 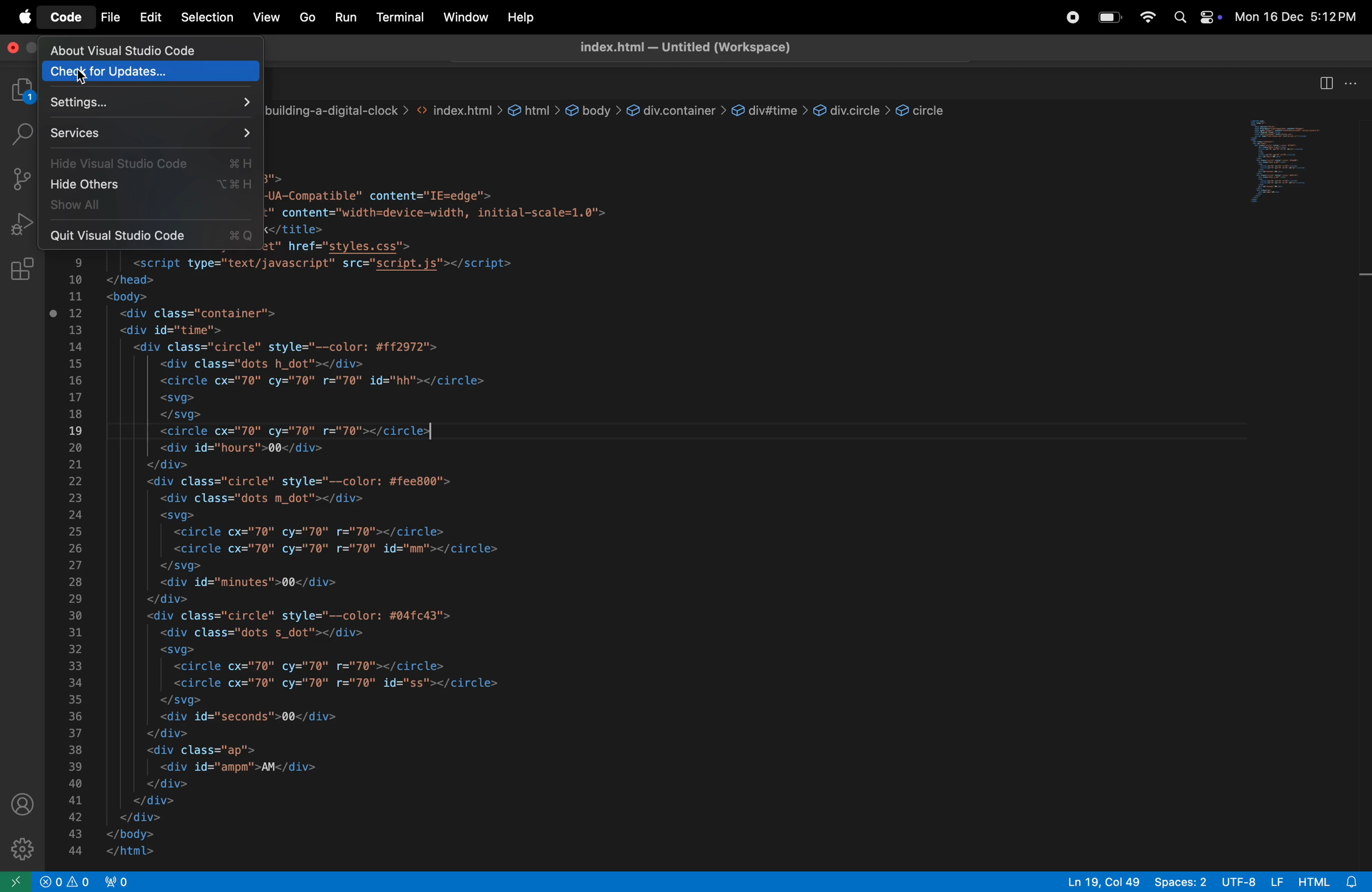 I want to click on Quit visual studio , so click(x=152, y=233).